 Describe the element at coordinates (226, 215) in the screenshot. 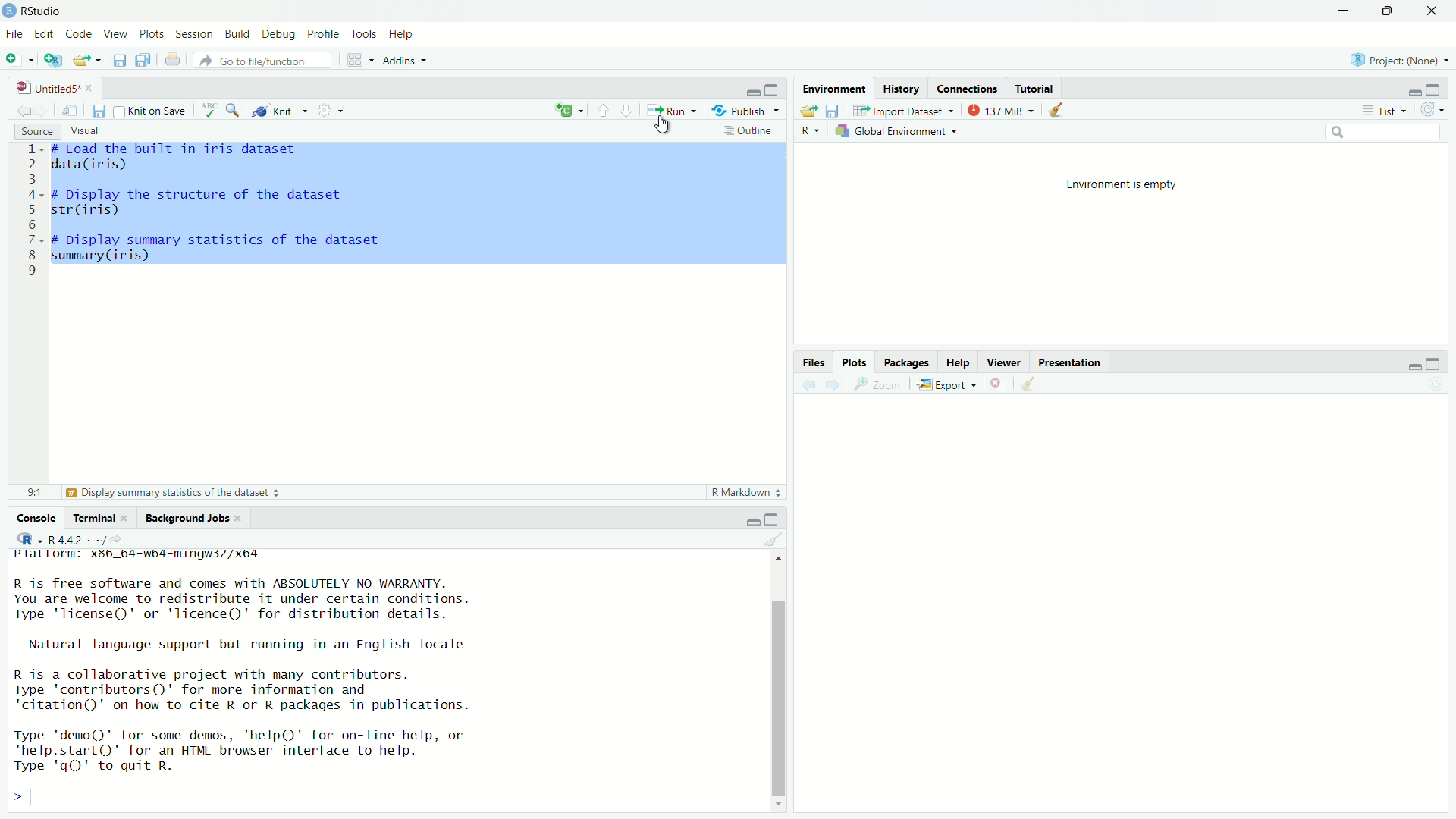

I see `# Load the built-in iris datasetdata(iris)# Display the structure of the datasetstr(iris)# Display summary statistics of the datasetsummary (iris)` at that location.